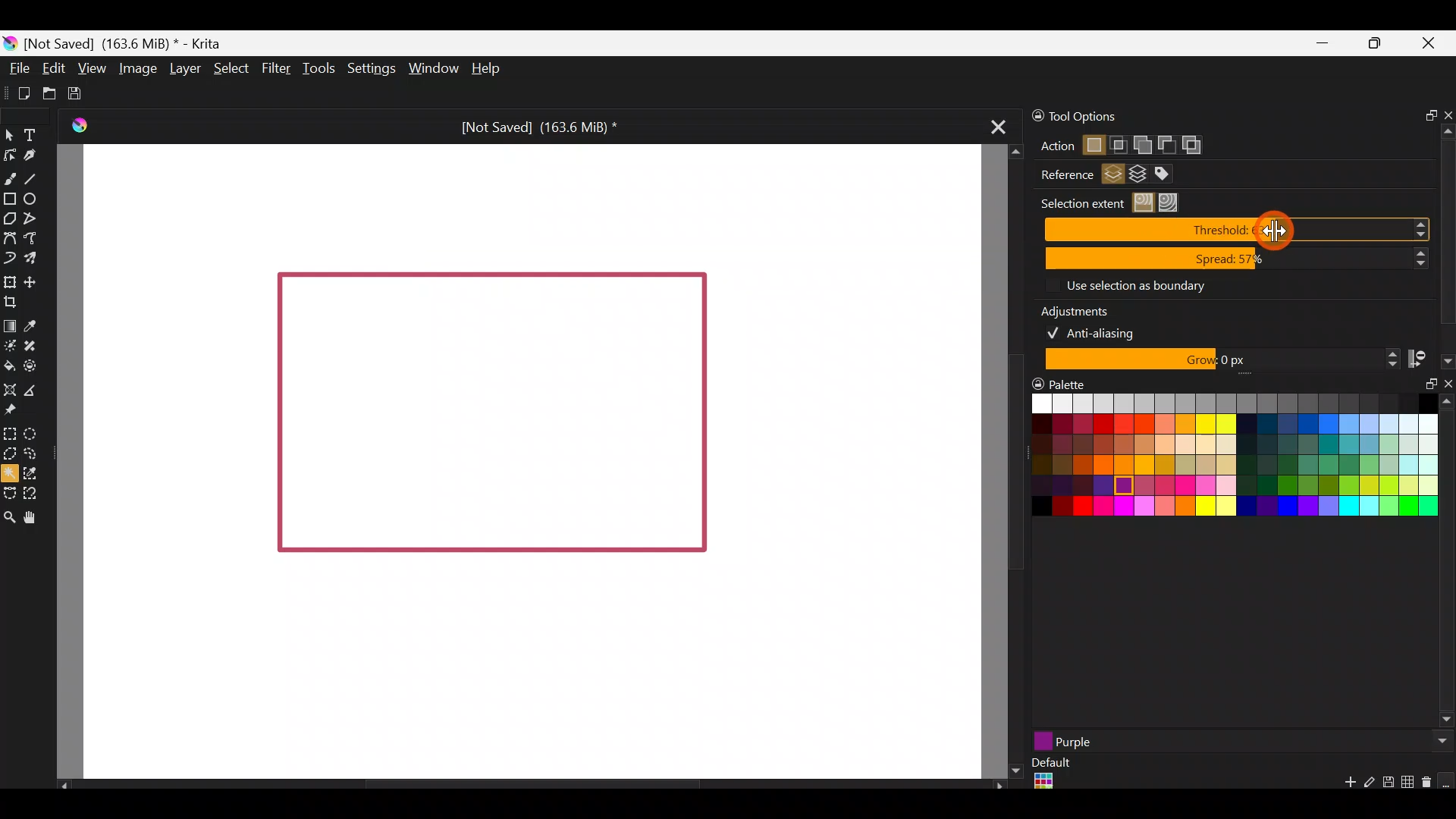  Describe the element at coordinates (1429, 787) in the screenshot. I see `Remove swatch/group` at that location.